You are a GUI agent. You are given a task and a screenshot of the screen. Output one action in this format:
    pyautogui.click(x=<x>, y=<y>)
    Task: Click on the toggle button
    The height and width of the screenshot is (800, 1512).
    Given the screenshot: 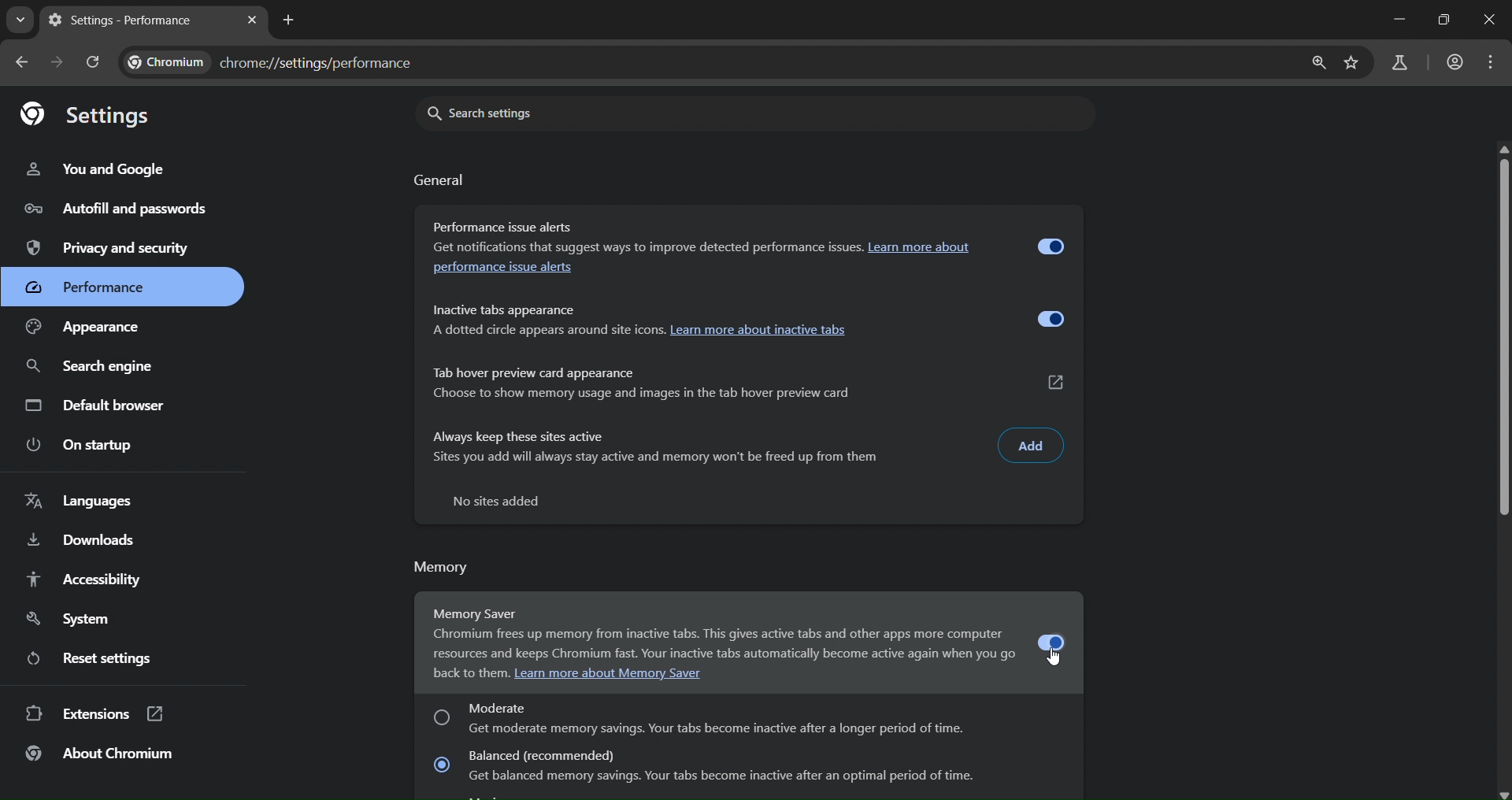 What is the action you would take?
    pyautogui.click(x=1052, y=248)
    